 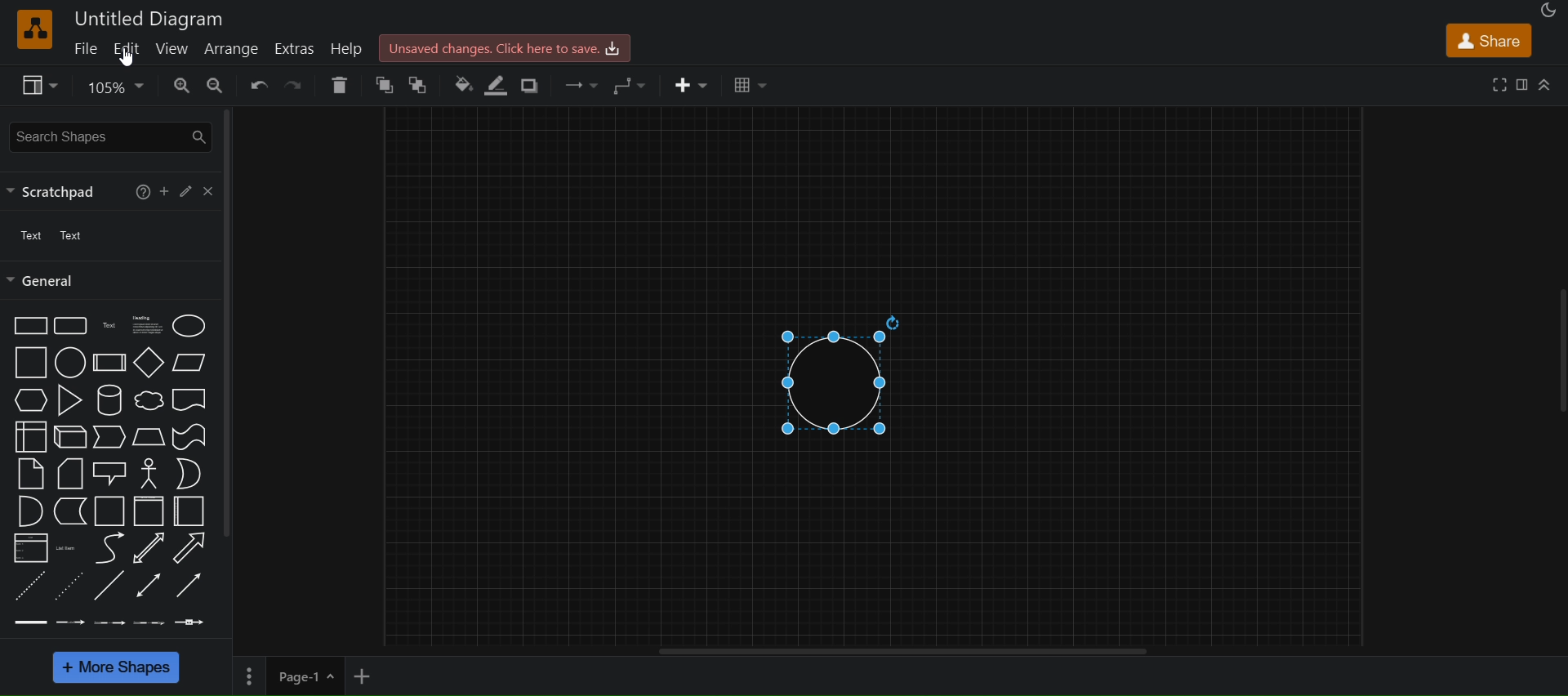 I want to click on trapezoid, so click(x=149, y=437).